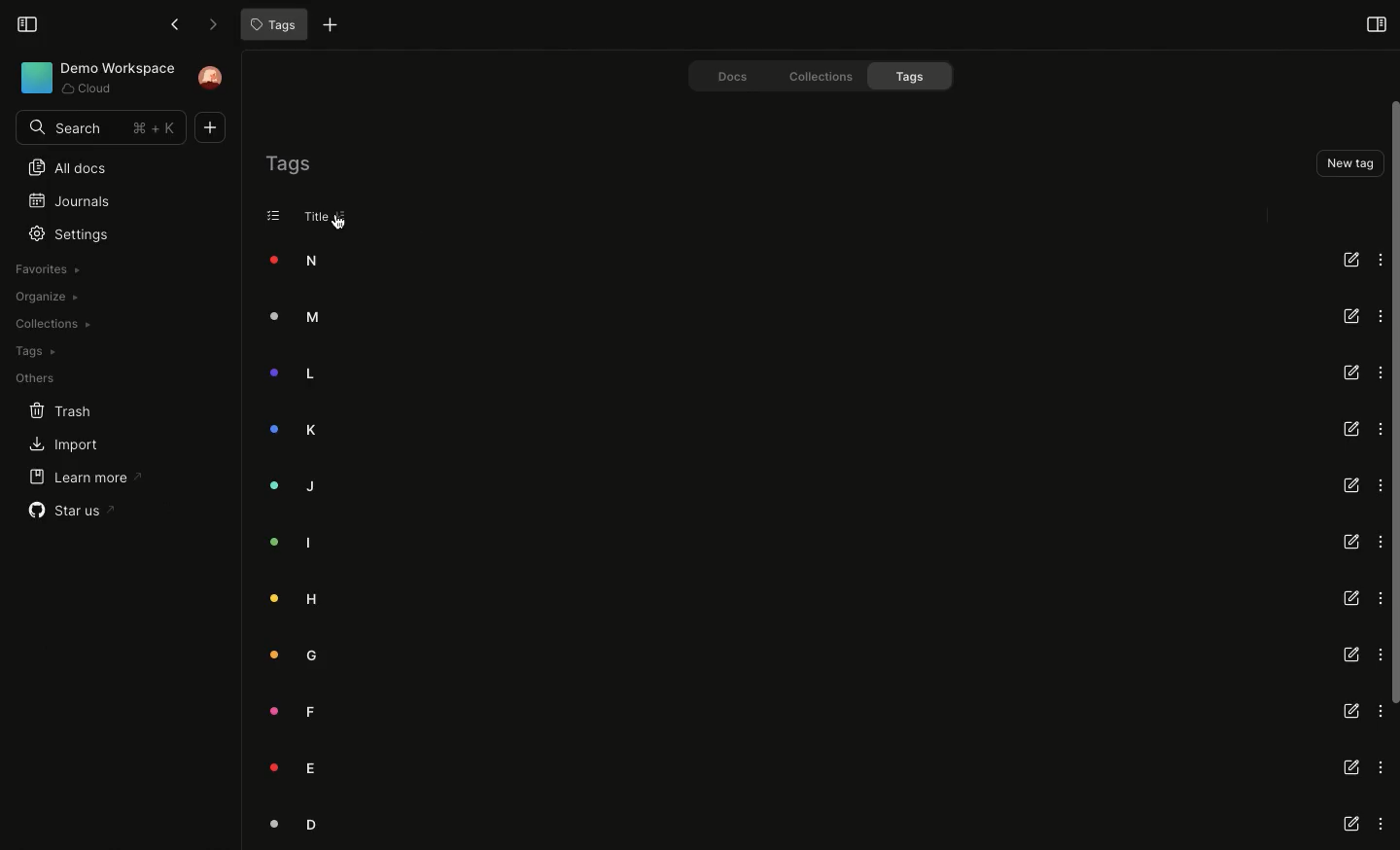  I want to click on Rename, so click(1352, 372).